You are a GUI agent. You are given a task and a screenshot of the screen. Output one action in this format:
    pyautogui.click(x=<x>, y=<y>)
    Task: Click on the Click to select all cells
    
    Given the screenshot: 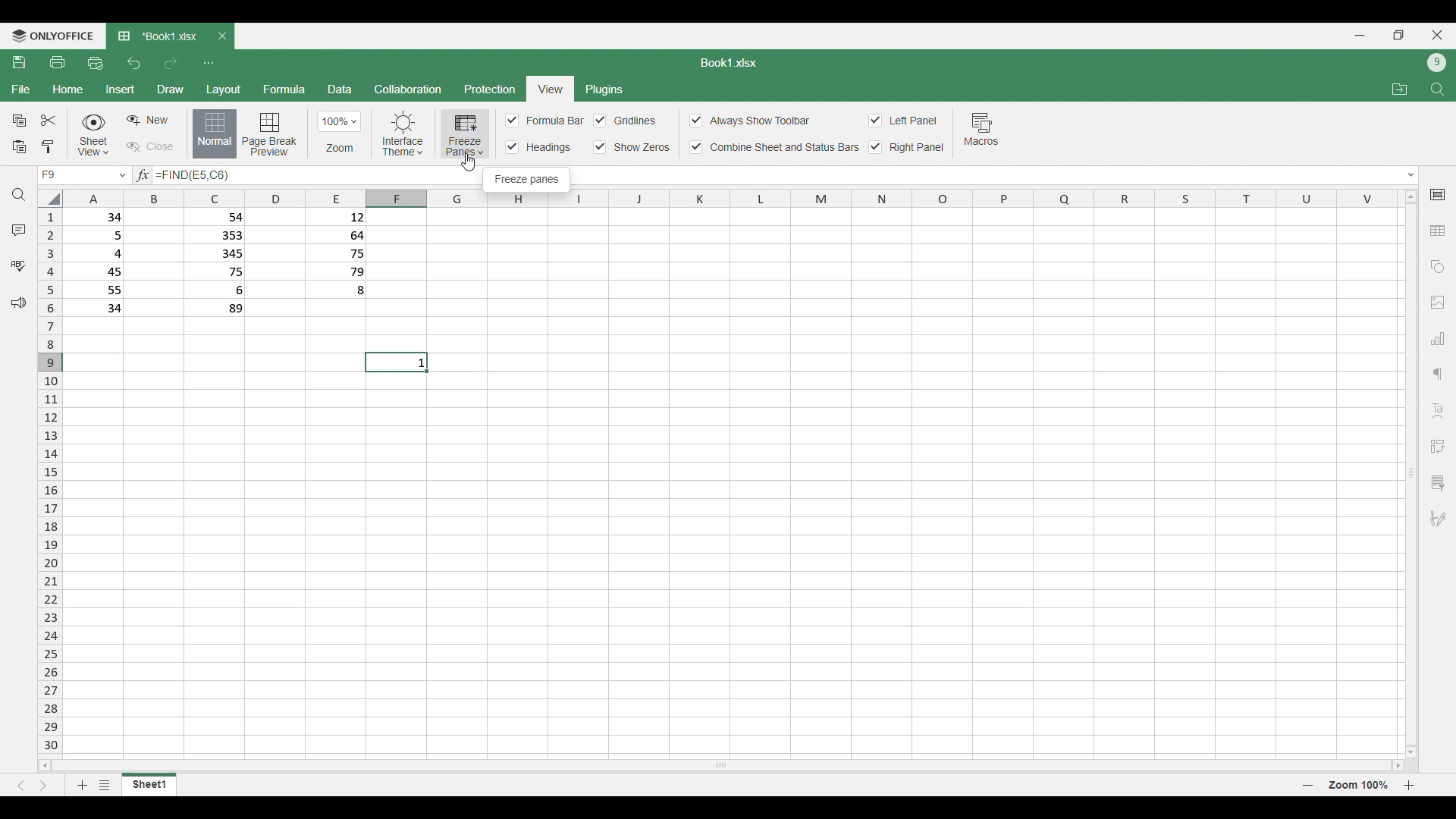 What is the action you would take?
    pyautogui.click(x=50, y=199)
    